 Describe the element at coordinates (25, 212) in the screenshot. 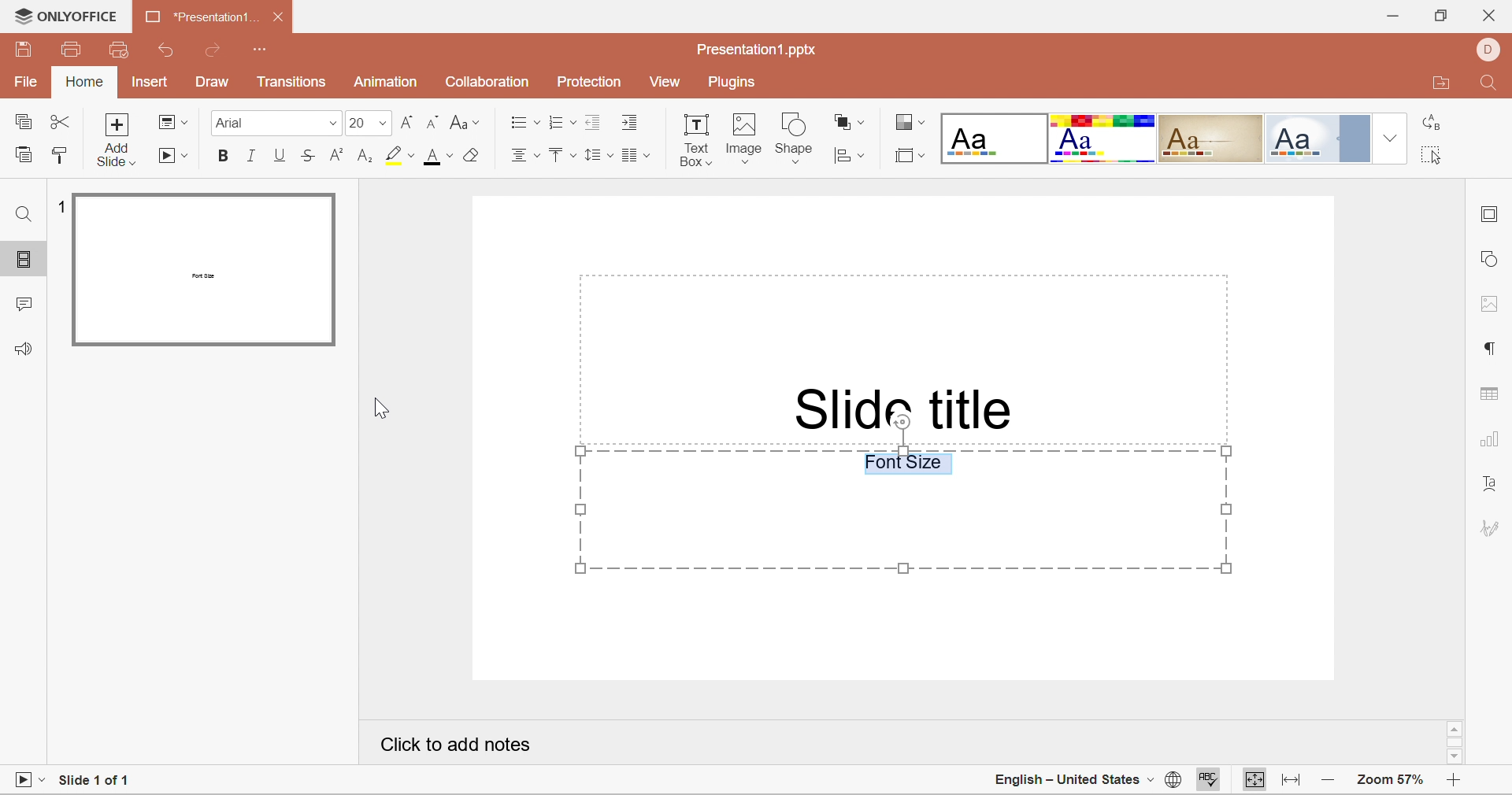

I see `Find` at that location.